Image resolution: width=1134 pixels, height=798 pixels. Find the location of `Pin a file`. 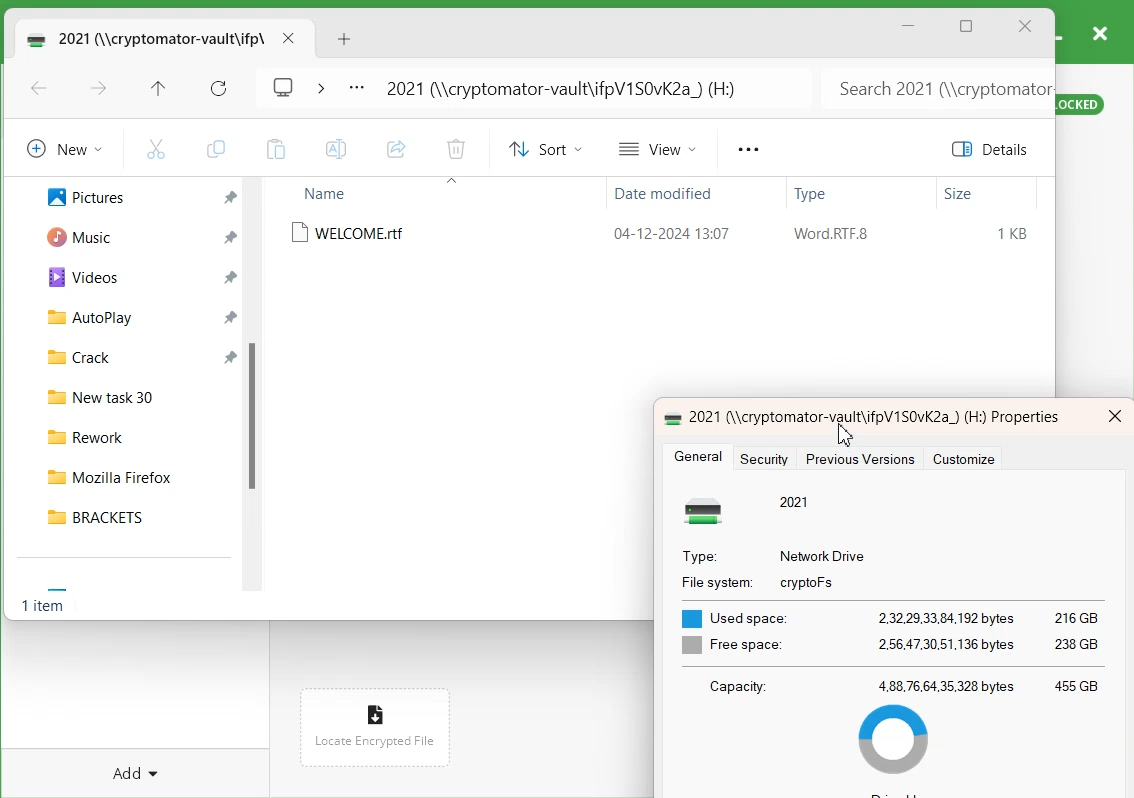

Pin a file is located at coordinates (231, 316).